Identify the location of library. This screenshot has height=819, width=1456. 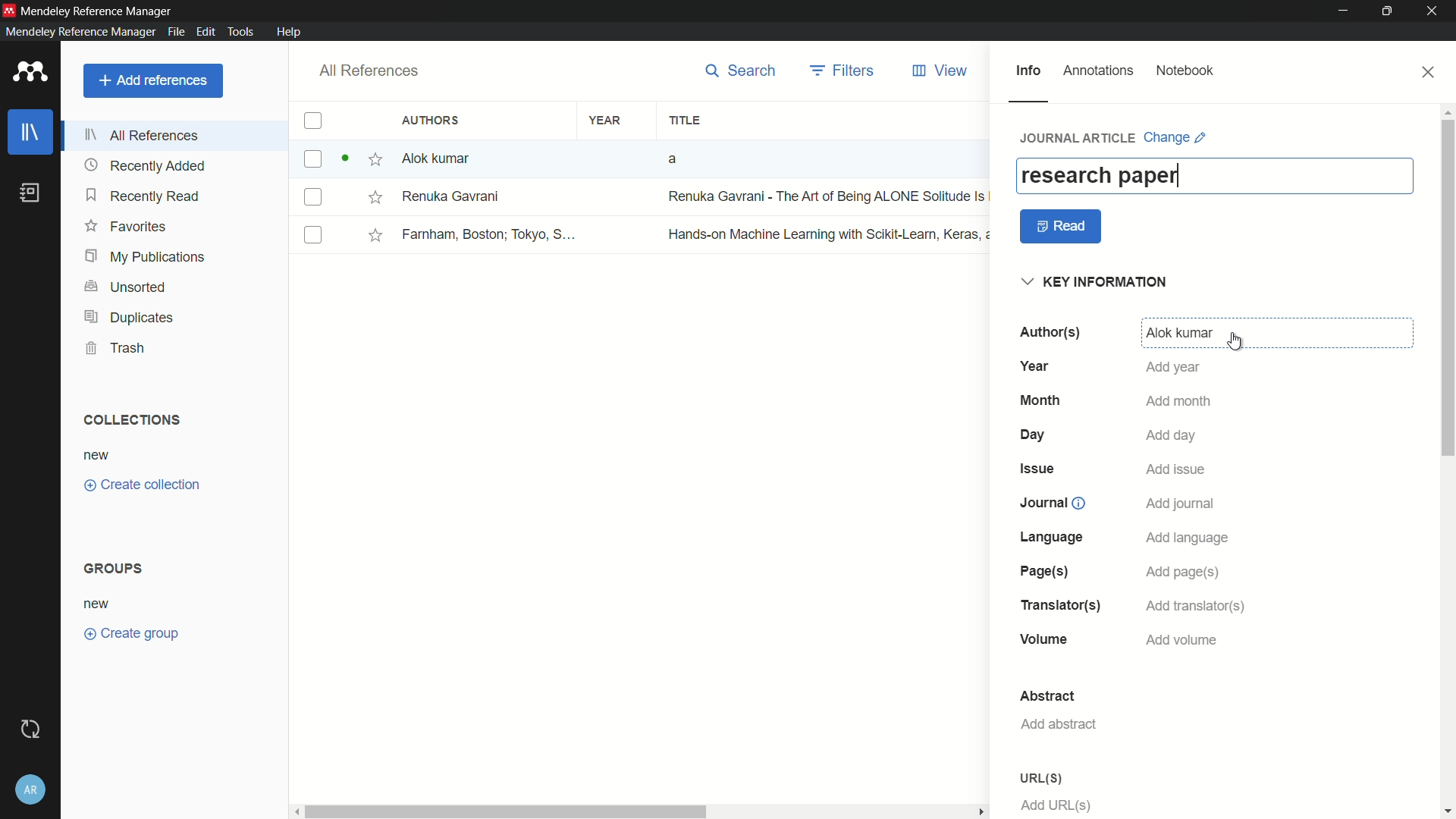
(31, 133).